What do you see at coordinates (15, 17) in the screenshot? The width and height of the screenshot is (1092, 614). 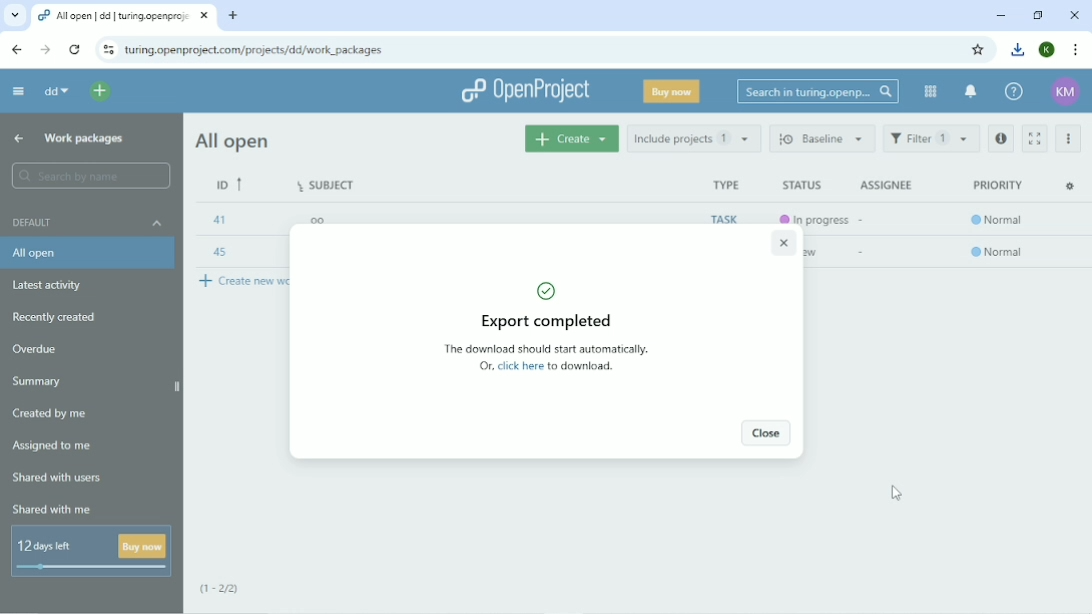 I see `Search tabs` at bounding box center [15, 17].